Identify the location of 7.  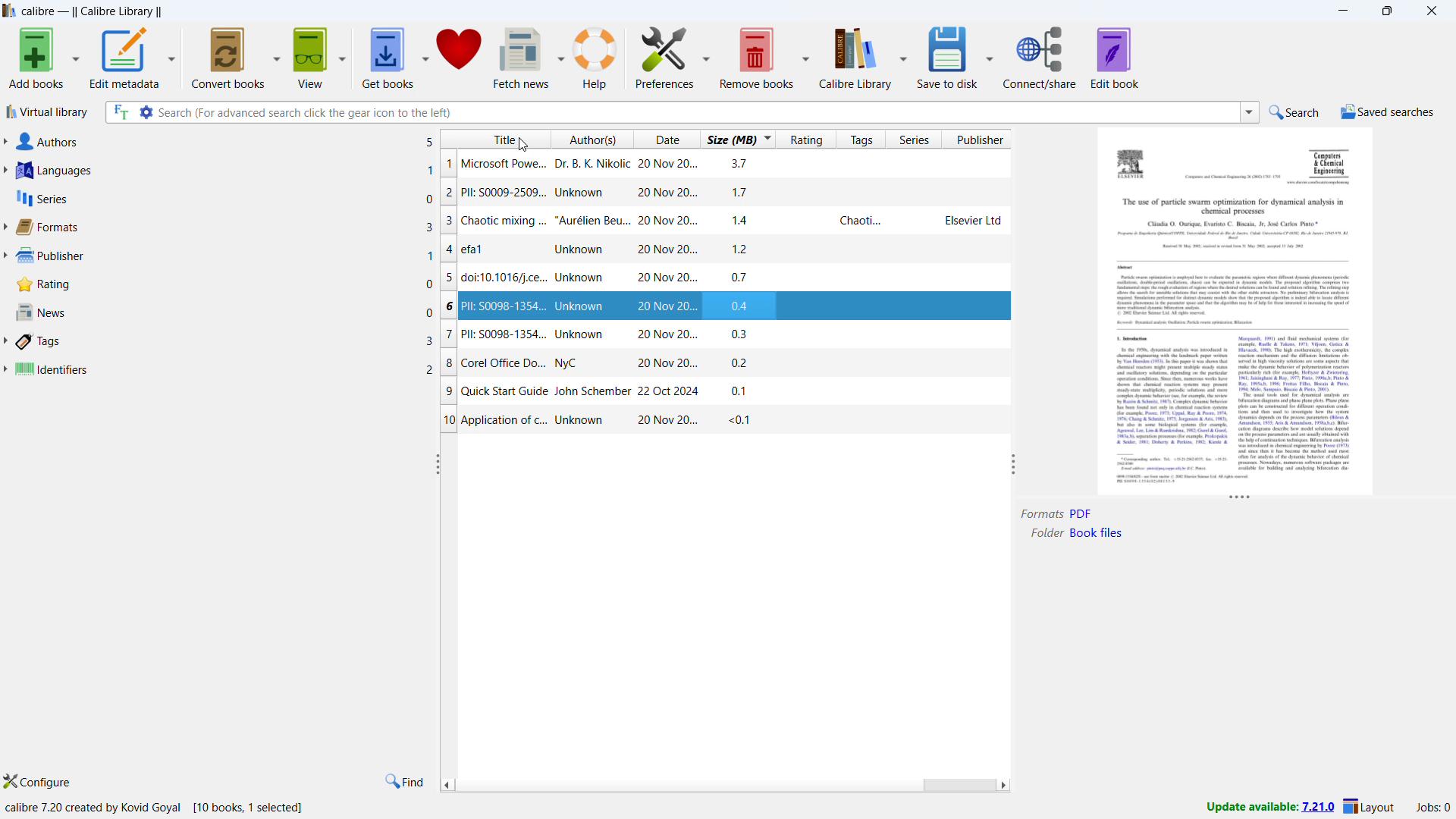
(447, 336).